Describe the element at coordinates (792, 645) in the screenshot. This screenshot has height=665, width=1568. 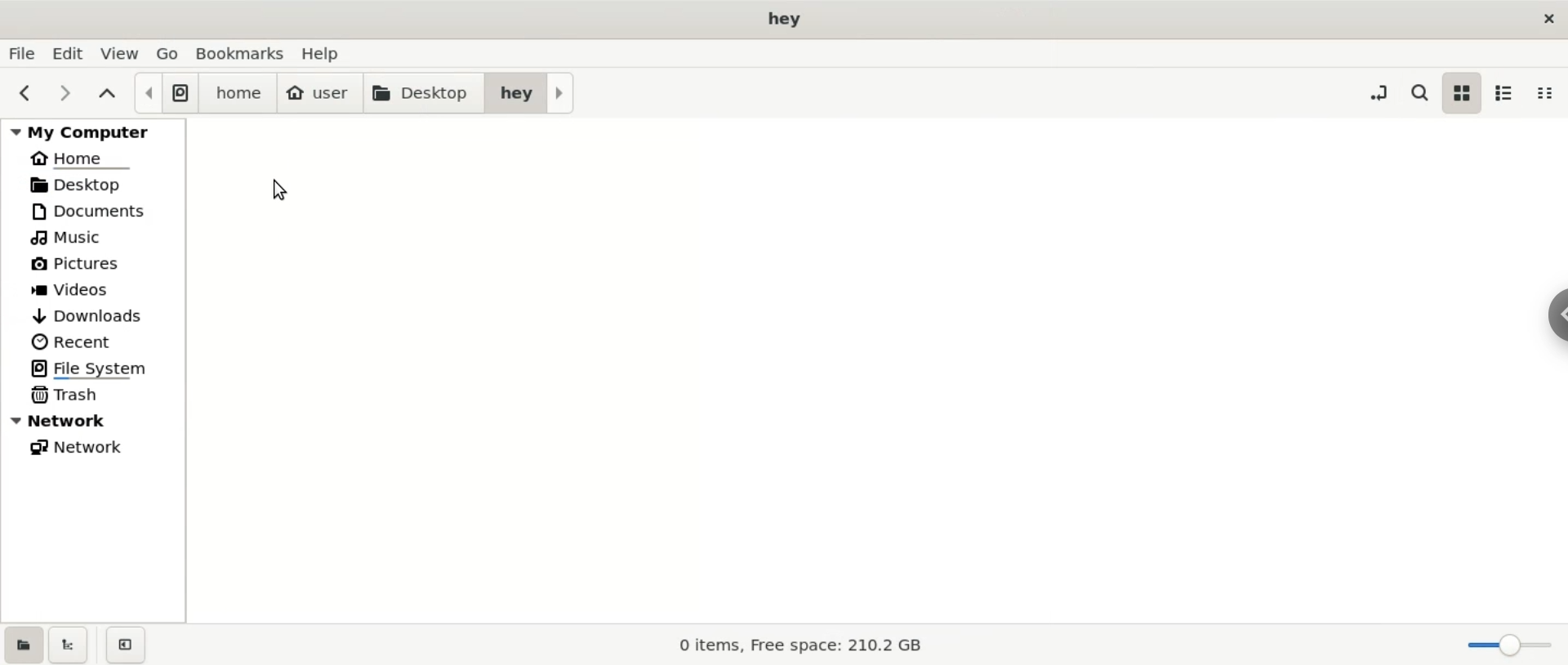
I see `storage` at that location.